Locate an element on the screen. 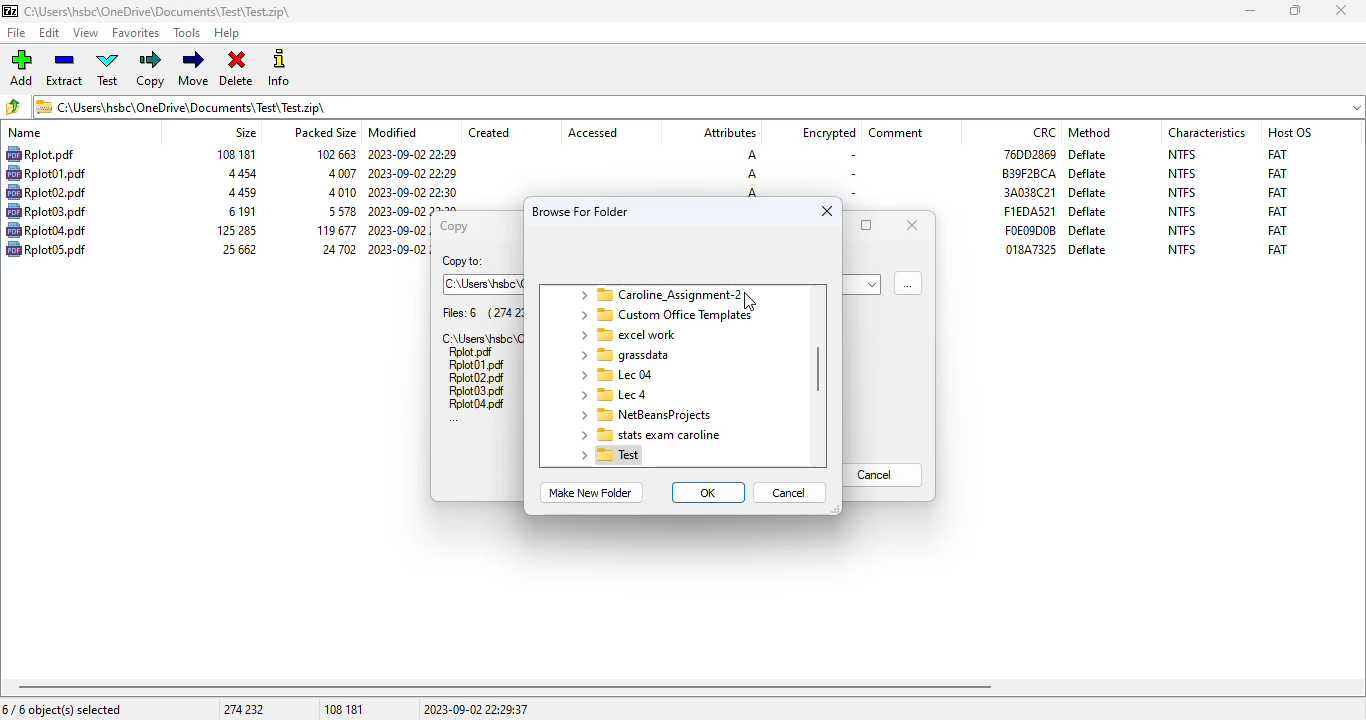 The height and width of the screenshot is (720, 1366). - is located at coordinates (850, 156).